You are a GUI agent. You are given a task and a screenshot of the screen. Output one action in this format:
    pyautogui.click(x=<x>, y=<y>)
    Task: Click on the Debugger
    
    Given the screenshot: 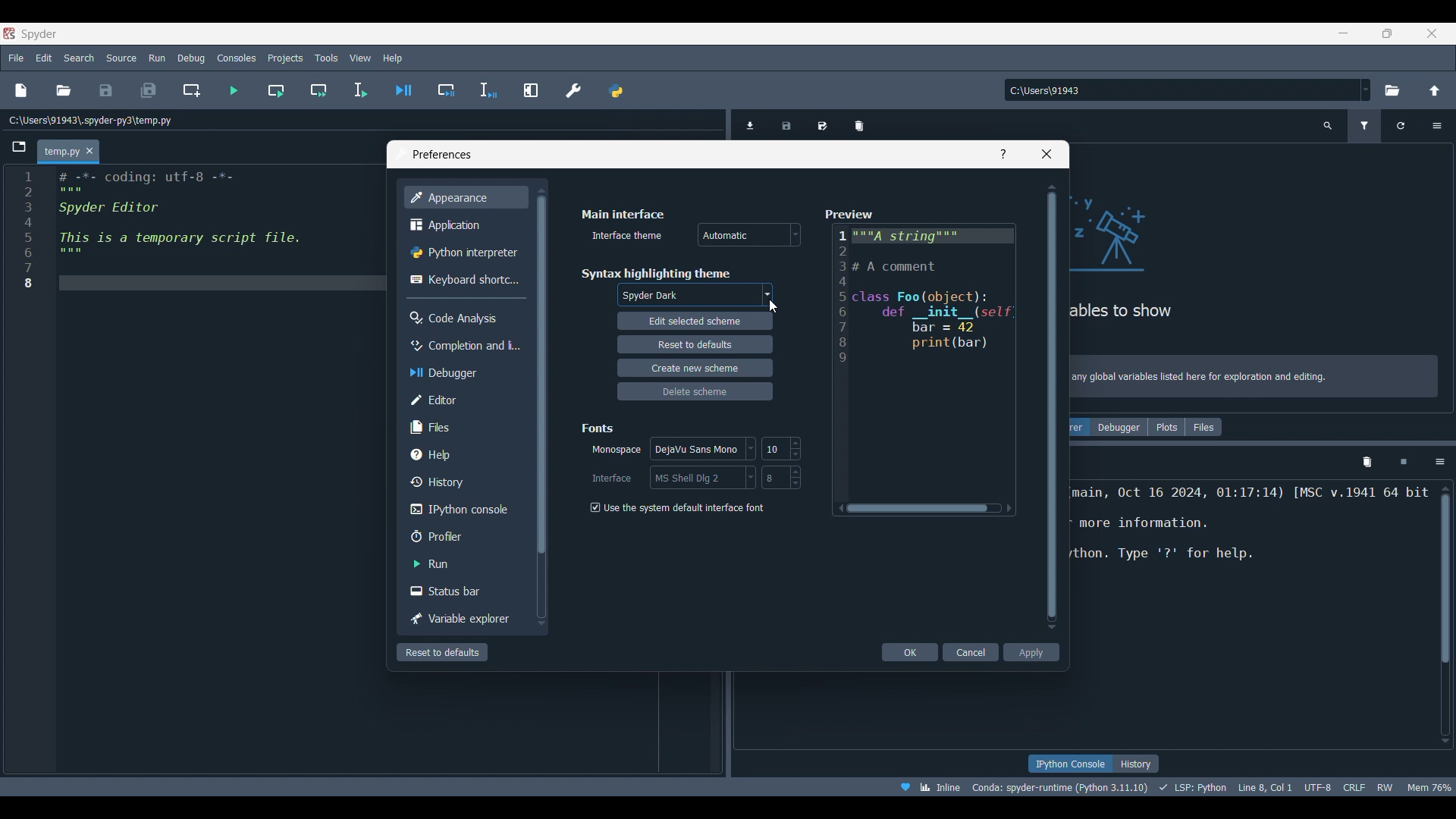 What is the action you would take?
    pyautogui.click(x=1120, y=427)
    